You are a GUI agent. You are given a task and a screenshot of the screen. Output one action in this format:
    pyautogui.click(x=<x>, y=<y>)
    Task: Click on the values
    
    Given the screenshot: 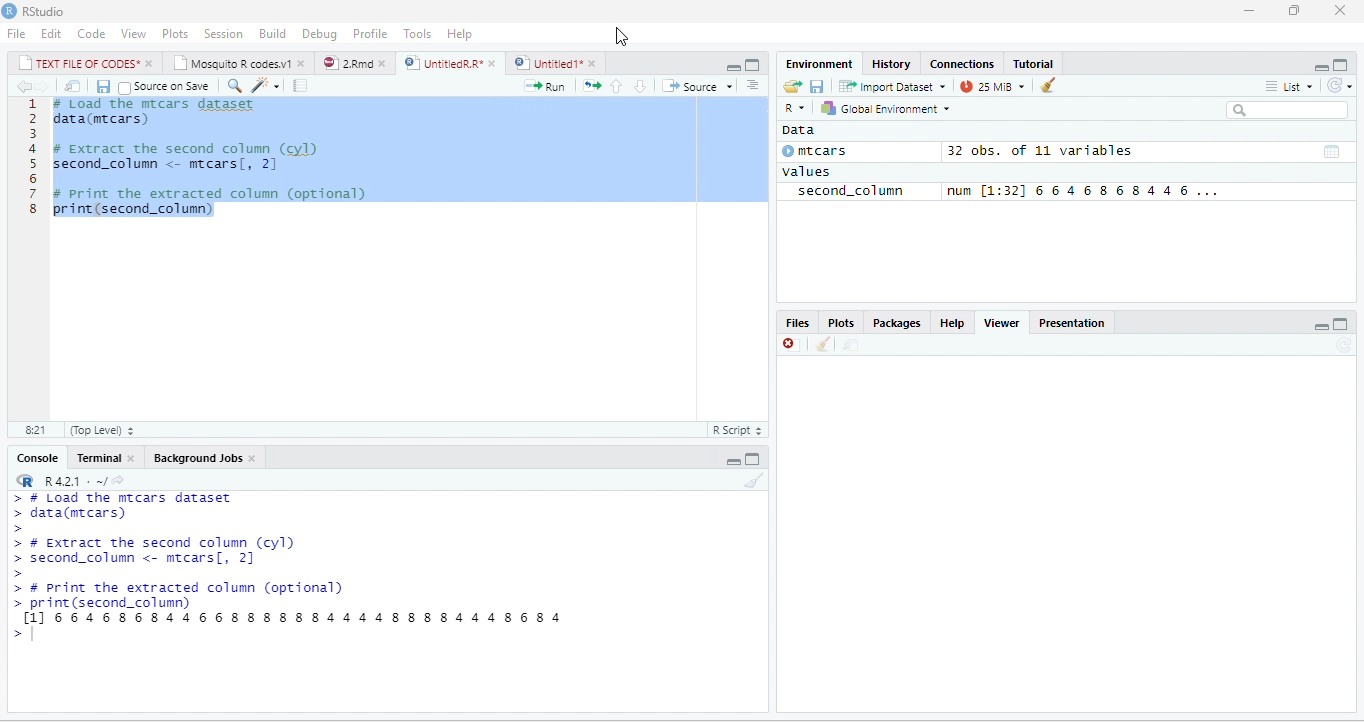 What is the action you would take?
    pyautogui.click(x=806, y=172)
    